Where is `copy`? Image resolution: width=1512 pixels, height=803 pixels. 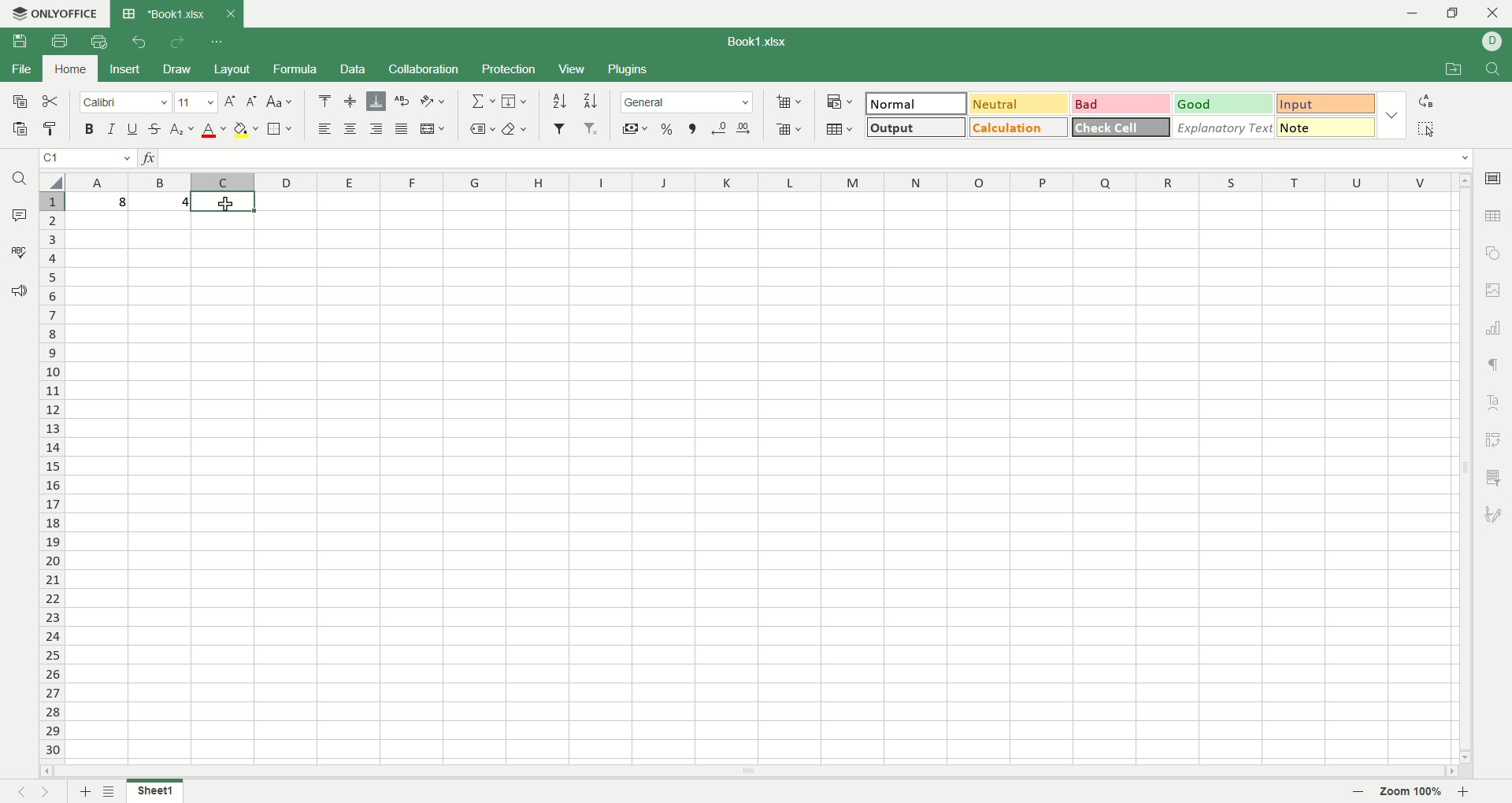 copy is located at coordinates (20, 102).